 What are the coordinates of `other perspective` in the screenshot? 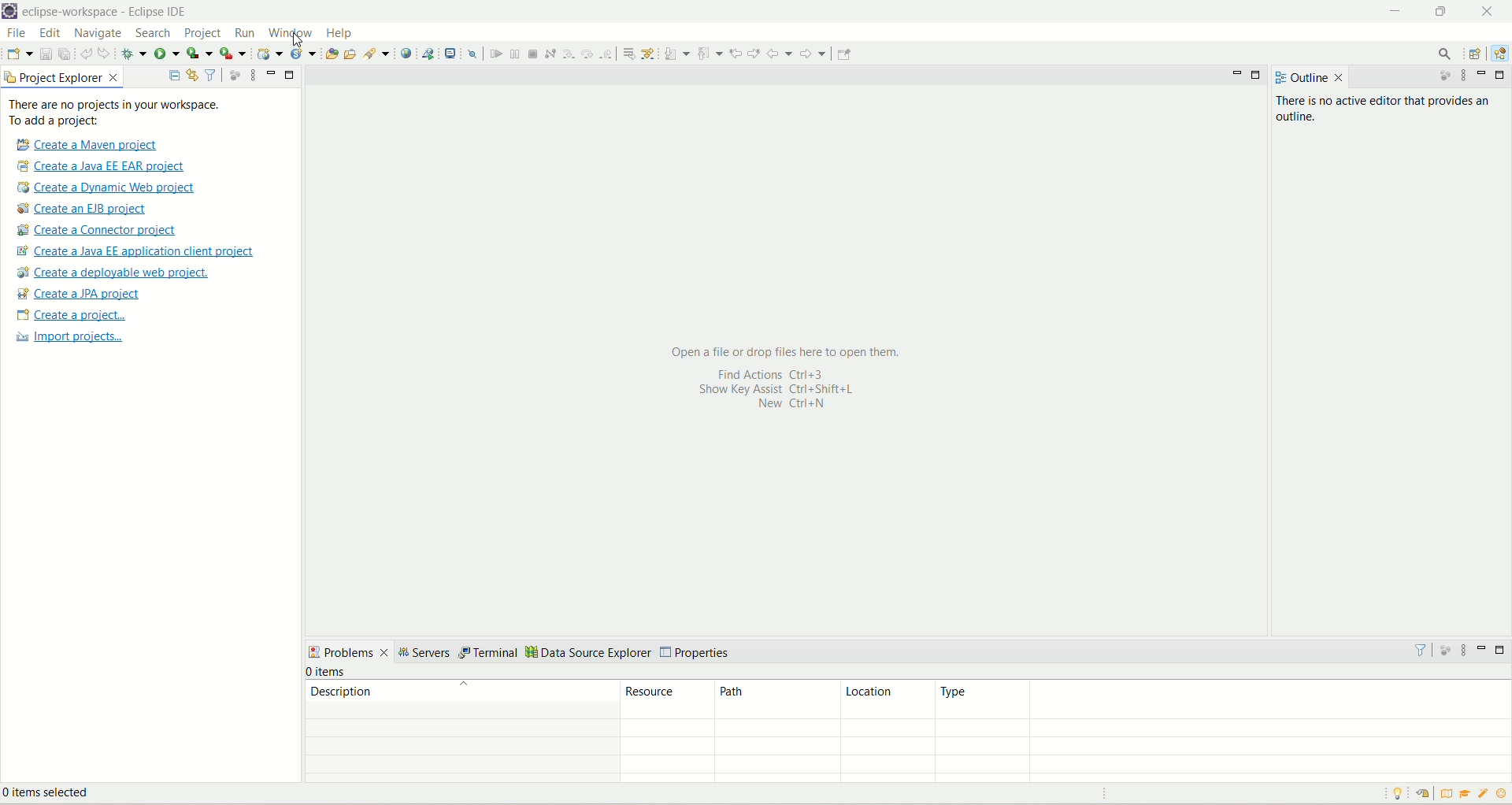 It's located at (1477, 54).